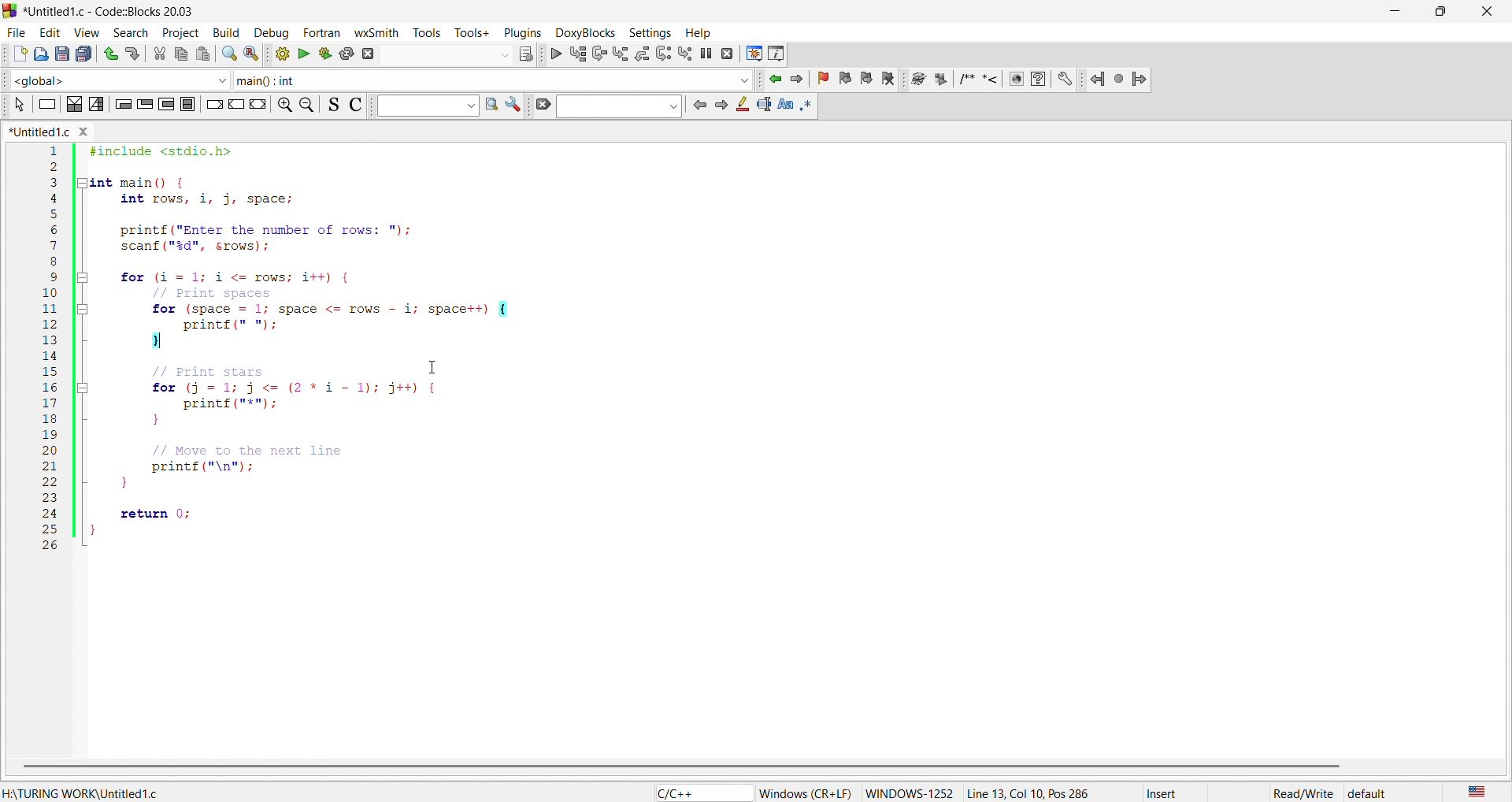 This screenshot has height=802, width=1512. Describe the element at coordinates (785, 106) in the screenshot. I see `Match text` at that location.